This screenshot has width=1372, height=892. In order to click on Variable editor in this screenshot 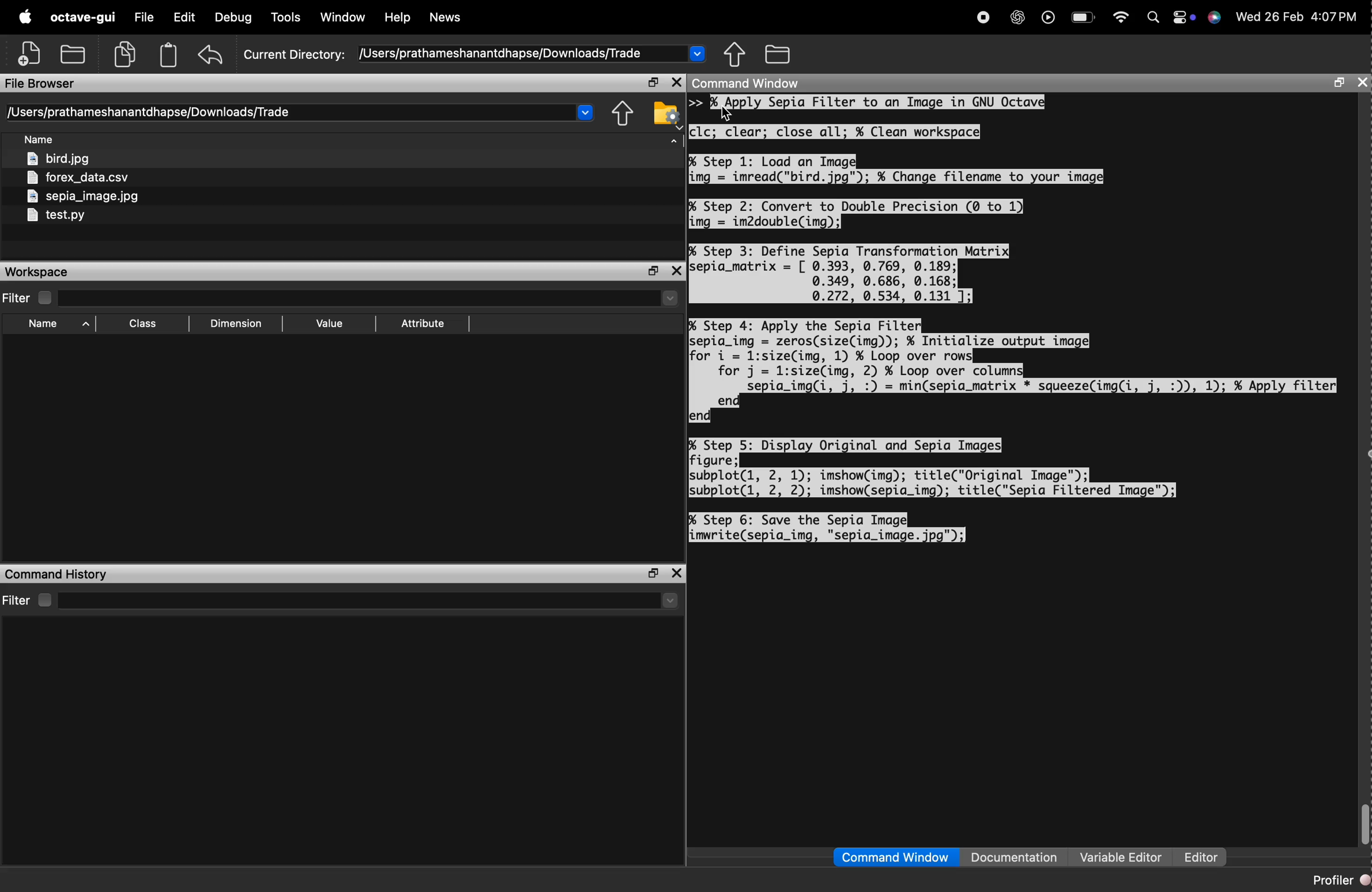, I will do `click(1123, 856)`.